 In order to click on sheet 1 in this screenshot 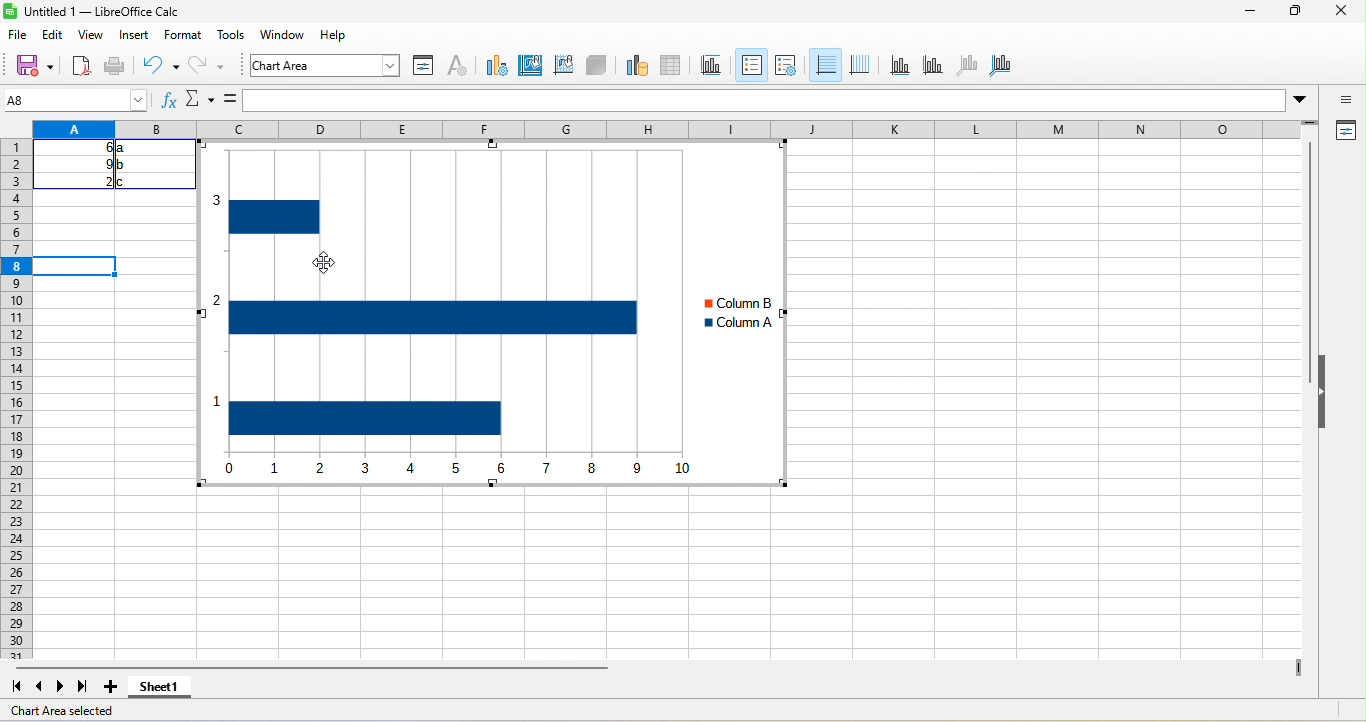, I will do `click(160, 685)`.